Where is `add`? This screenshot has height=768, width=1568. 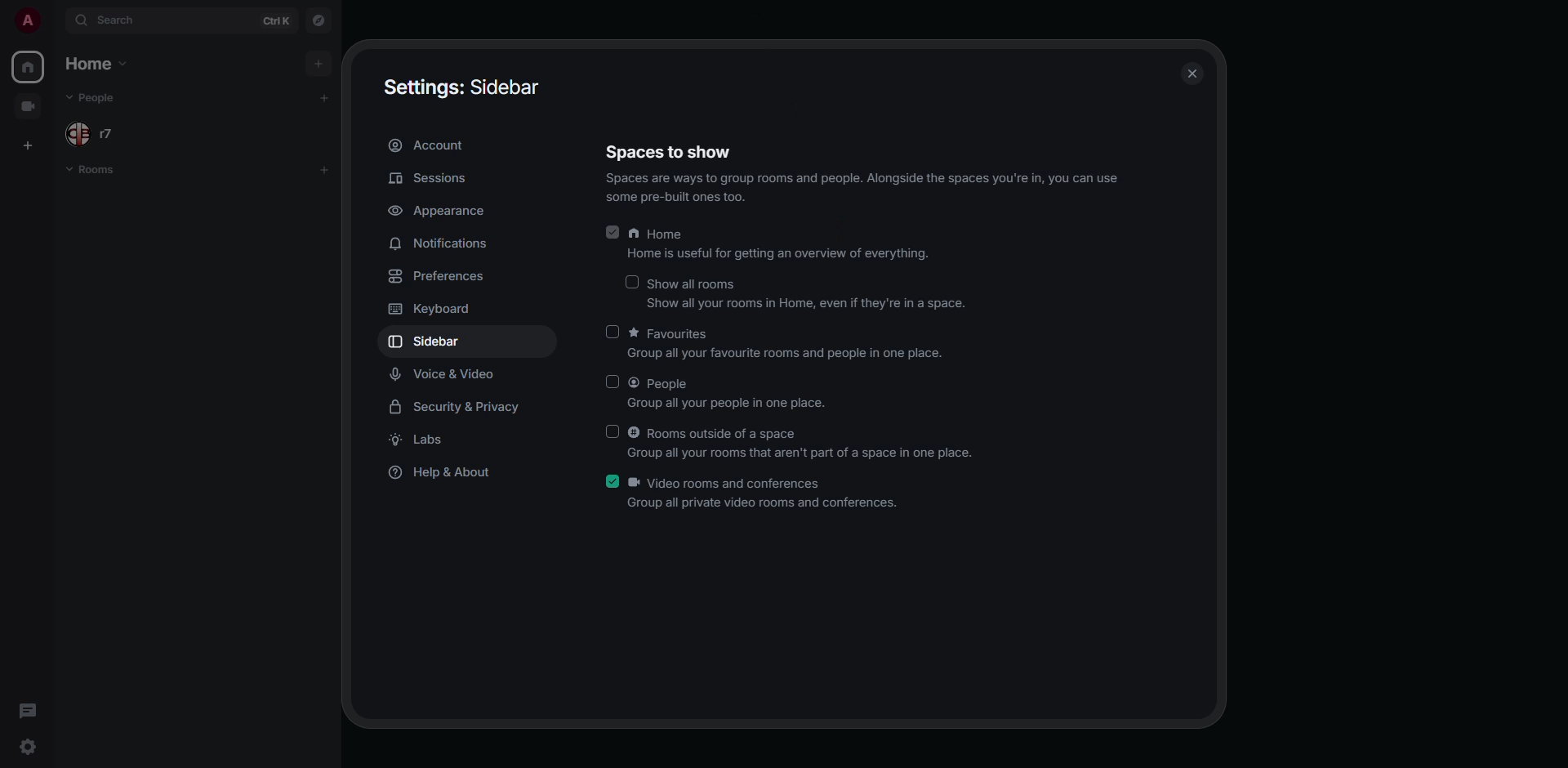 add is located at coordinates (33, 145).